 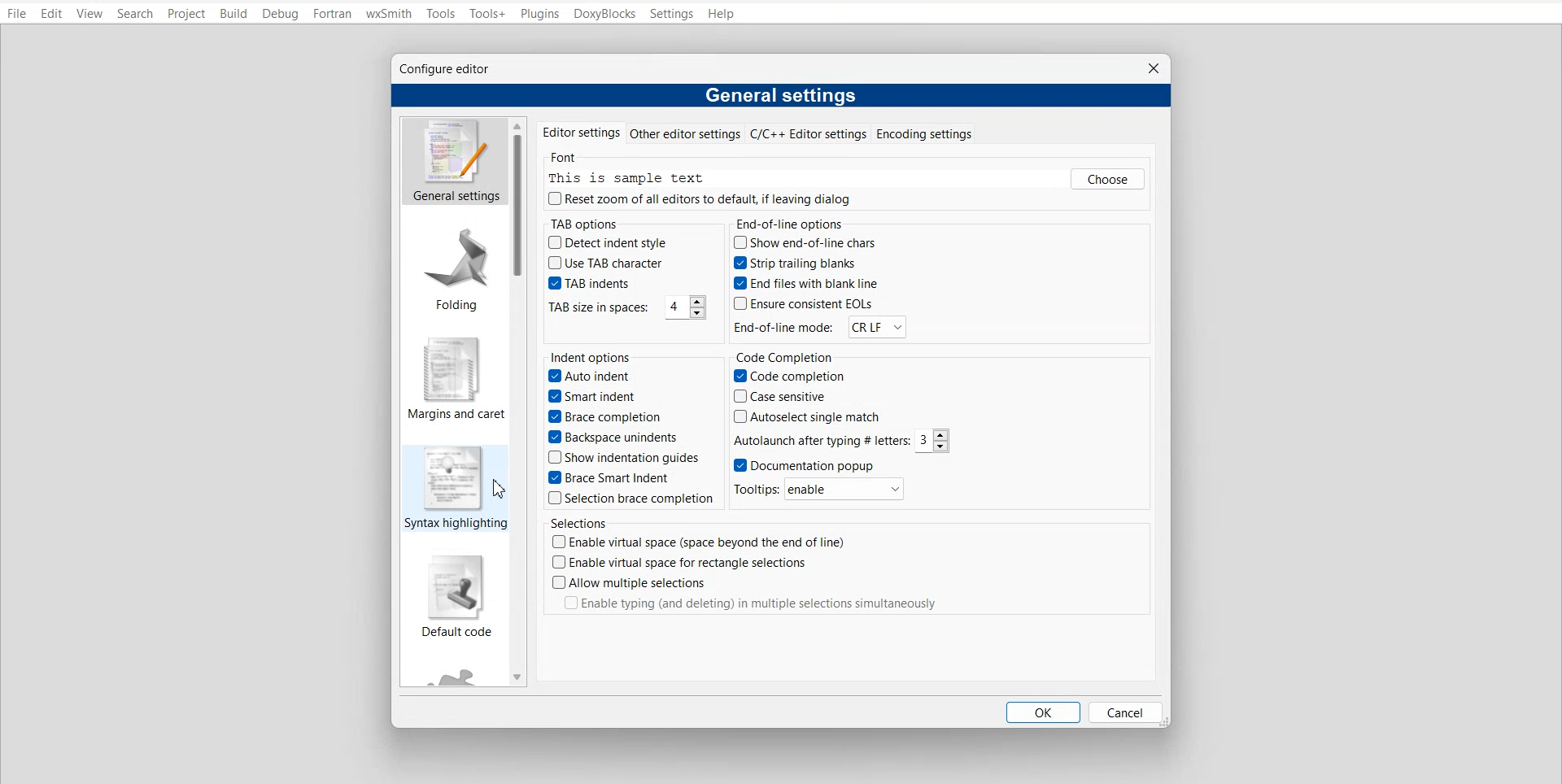 What do you see at coordinates (580, 132) in the screenshot?
I see `Editor settings` at bounding box center [580, 132].